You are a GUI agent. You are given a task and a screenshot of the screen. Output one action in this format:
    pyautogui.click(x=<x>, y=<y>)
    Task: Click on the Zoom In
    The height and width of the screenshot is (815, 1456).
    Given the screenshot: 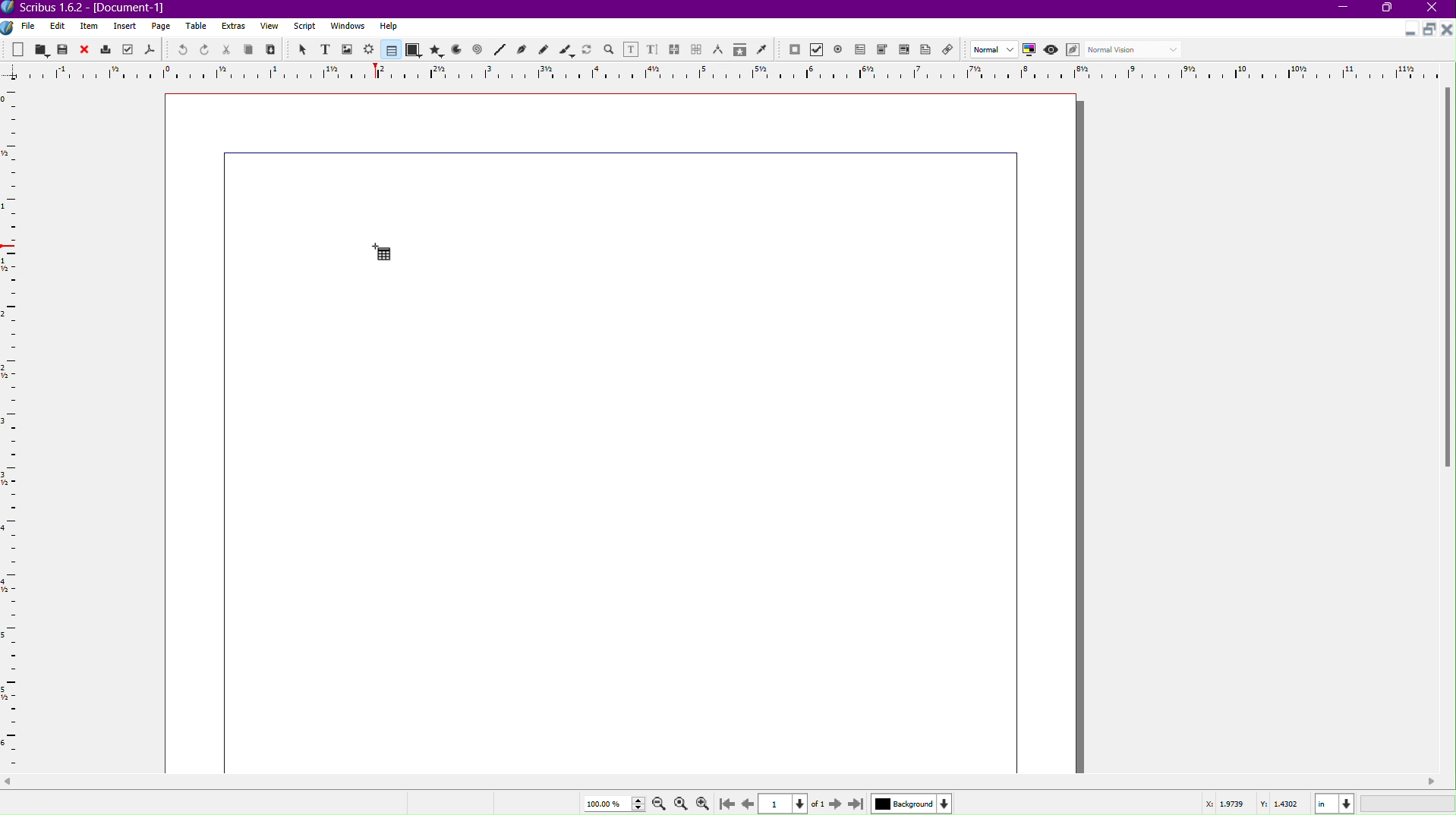 What is the action you would take?
    pyautogui.click(x=706, y=803)
    